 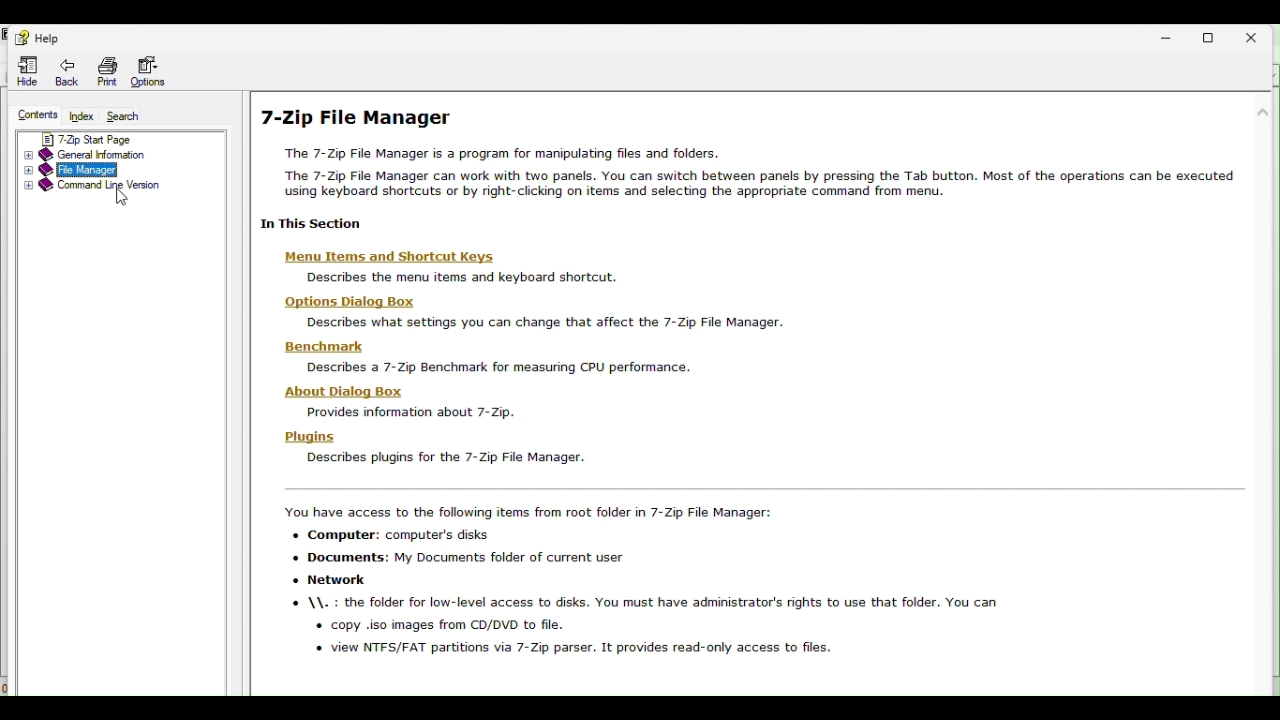 What do you see at coordinates (125, 196) in the screenshot?
I see `cursor` at bounding box center [125, 196].